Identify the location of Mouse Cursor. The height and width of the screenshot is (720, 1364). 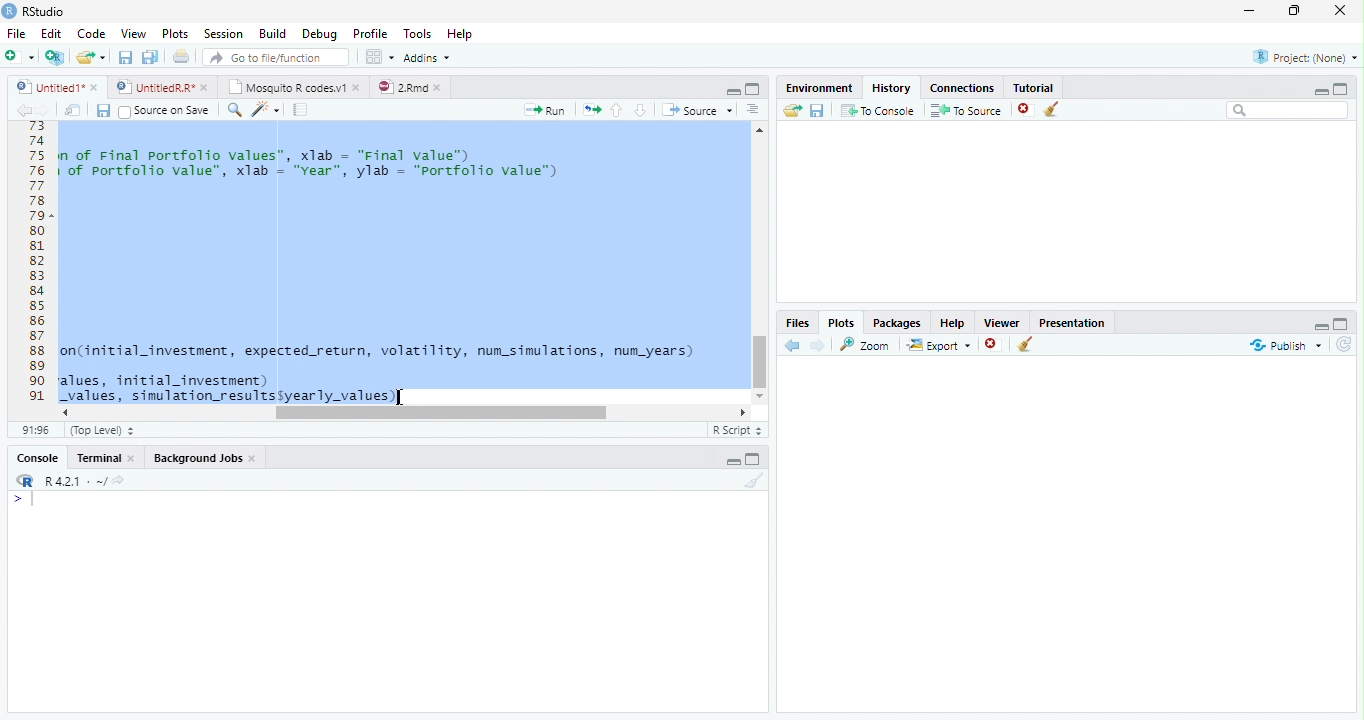
(399, 397).